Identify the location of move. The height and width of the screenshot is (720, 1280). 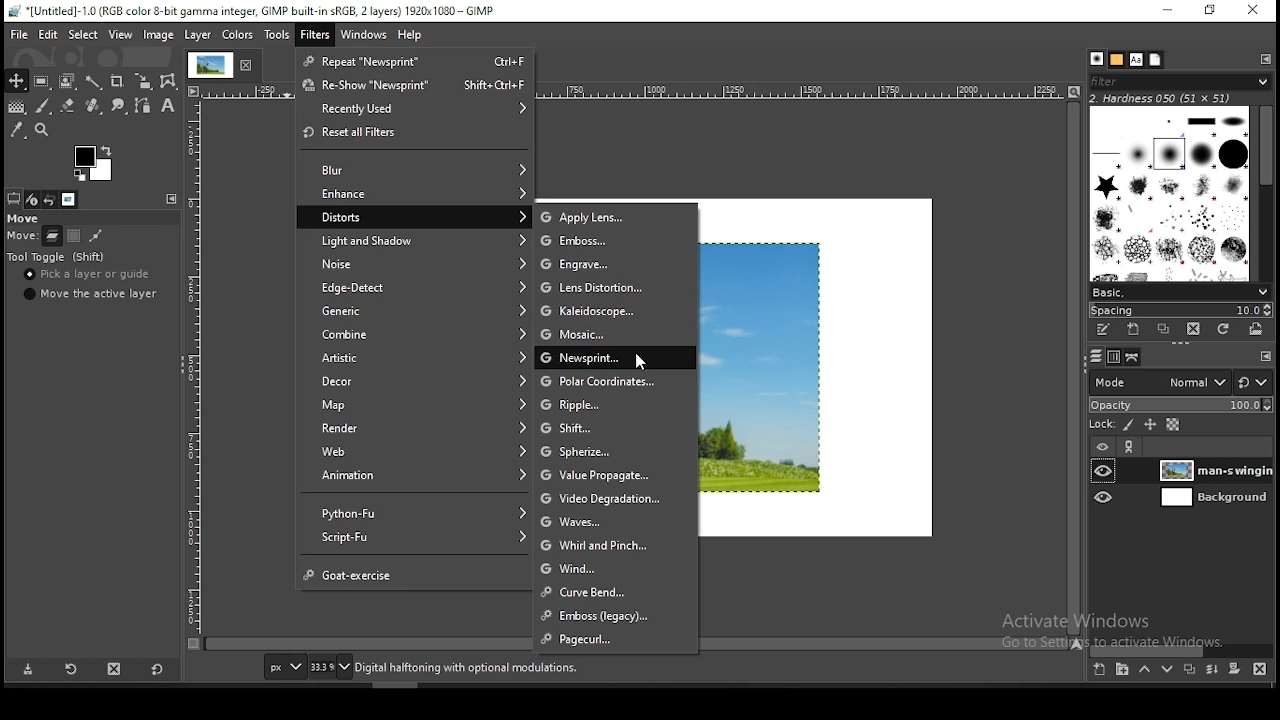
(26, 217).